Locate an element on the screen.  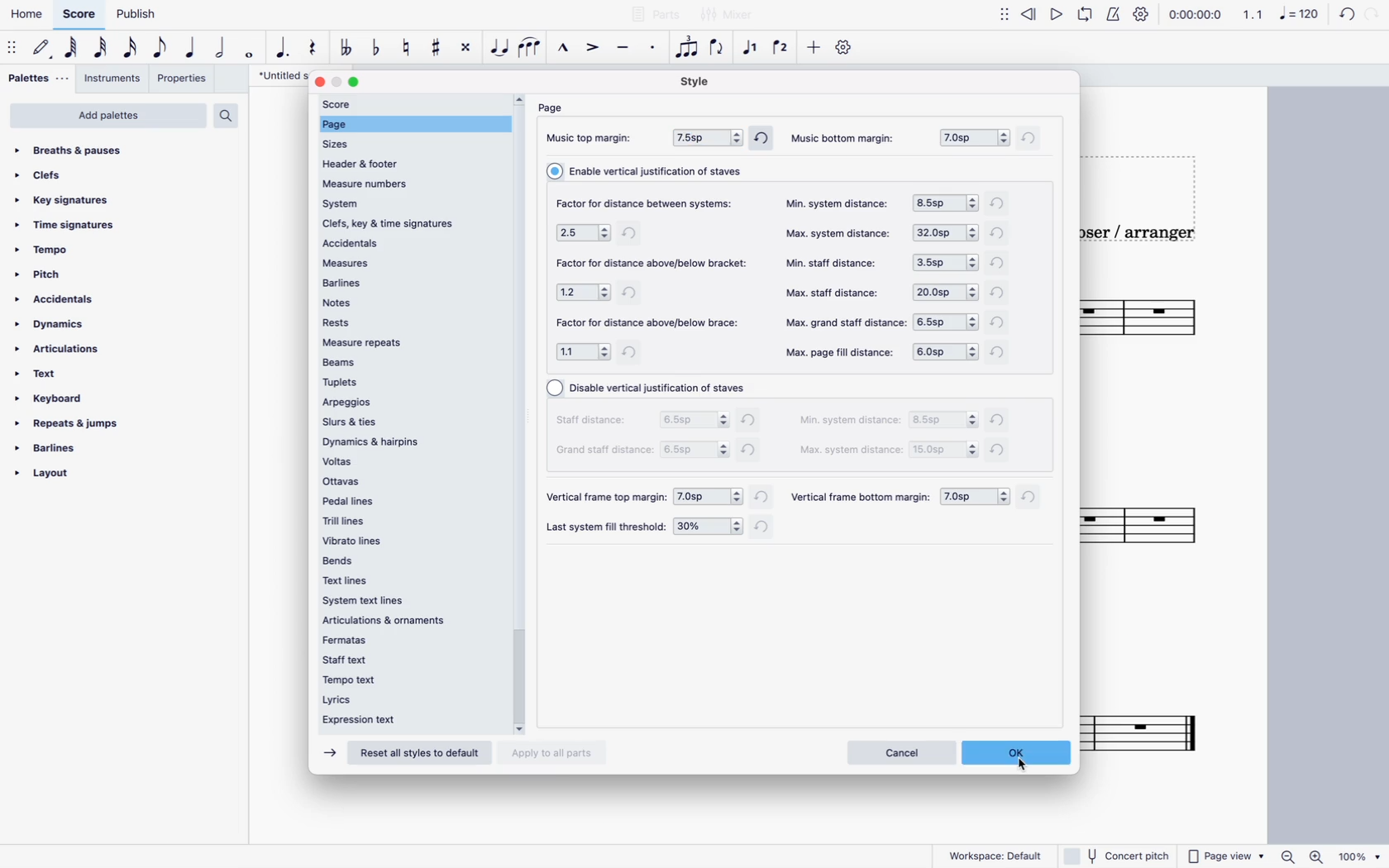
refresh is located at coordinates (765, 138).